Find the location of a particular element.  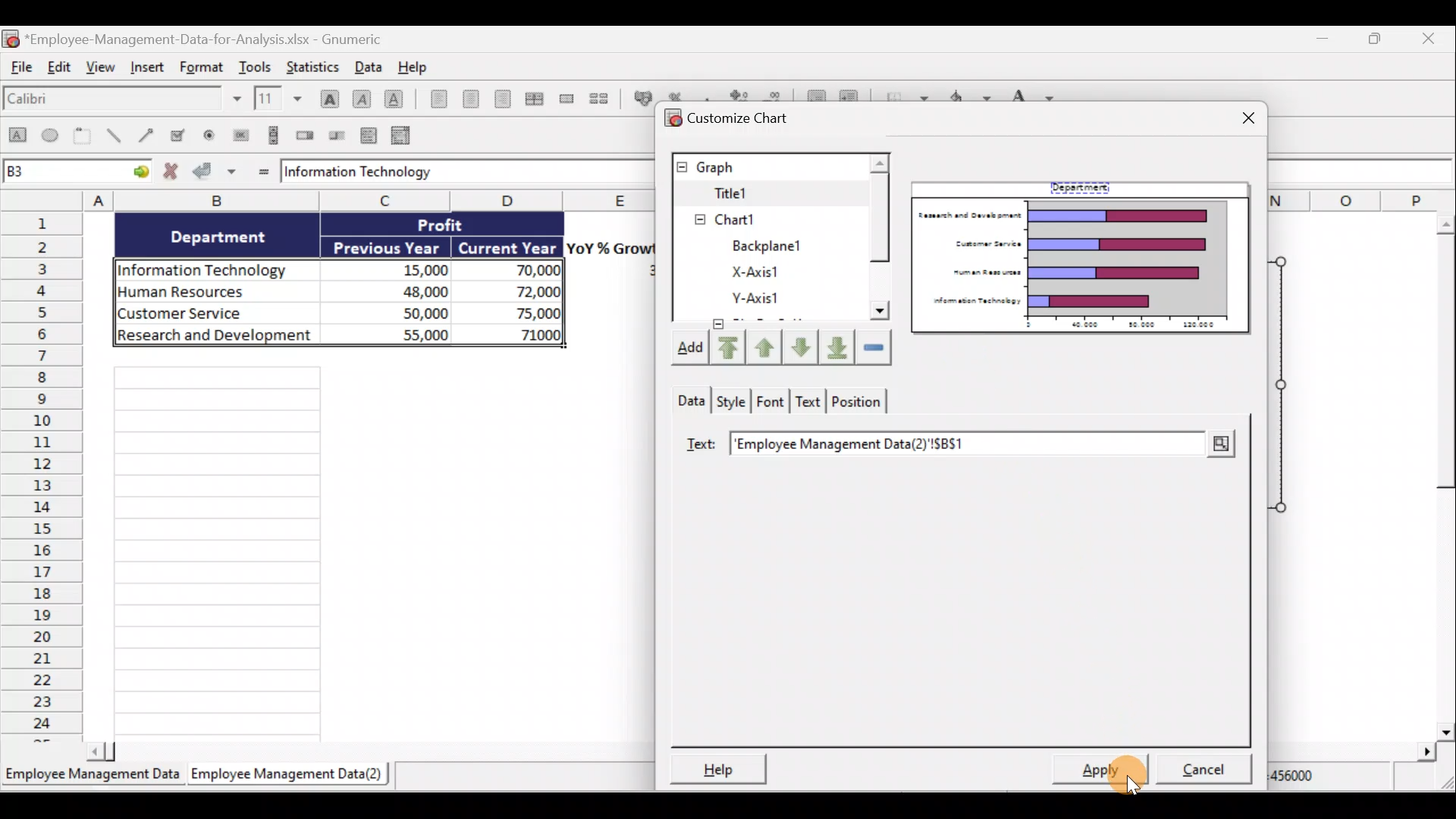

Apply is located at coordinates (1099, 771).